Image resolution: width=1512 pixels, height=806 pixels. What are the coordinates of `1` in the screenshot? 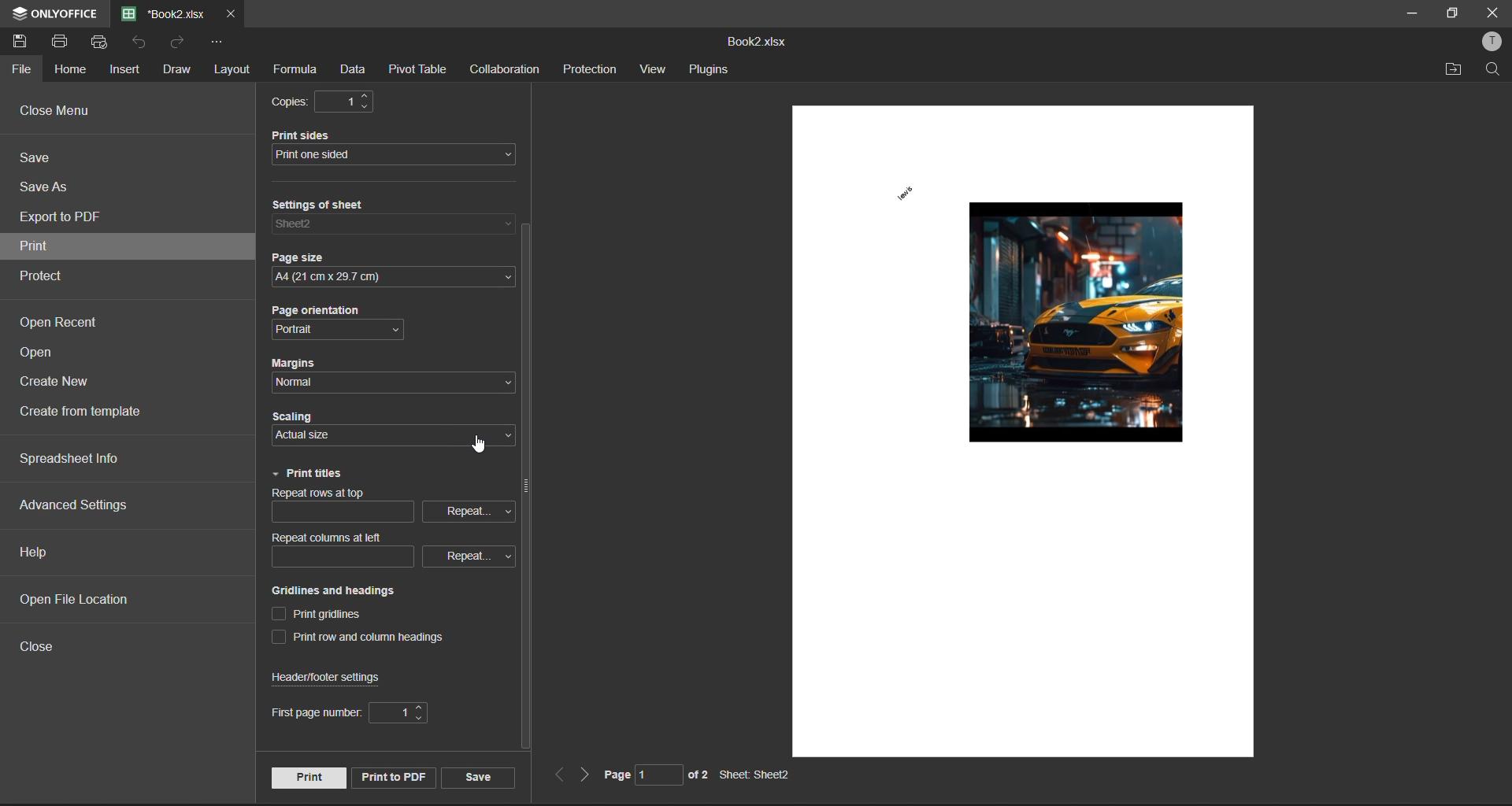 It's located at (349, 101).